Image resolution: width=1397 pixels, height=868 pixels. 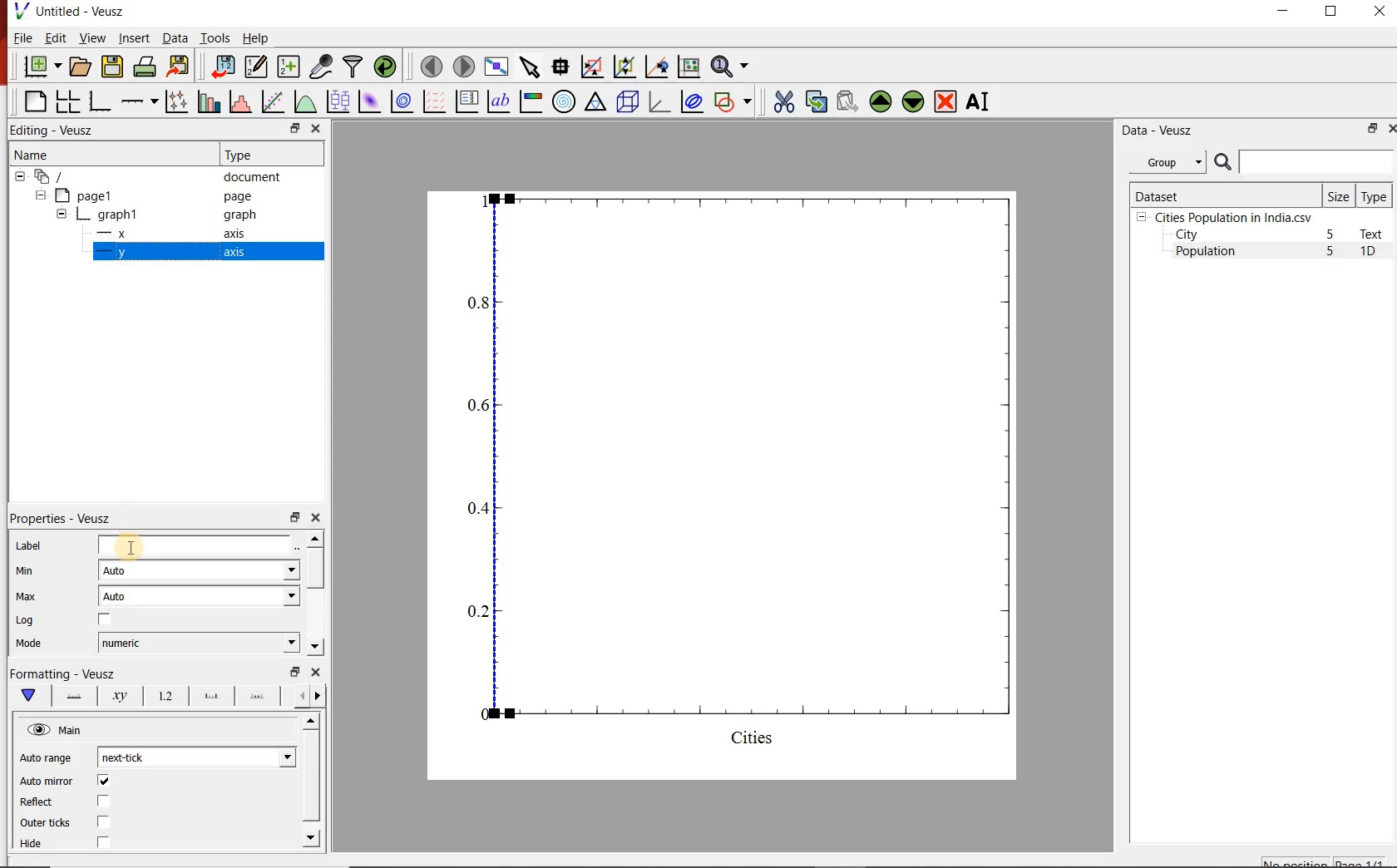 I want to click on 3d graph, so click(x=658, y=101).